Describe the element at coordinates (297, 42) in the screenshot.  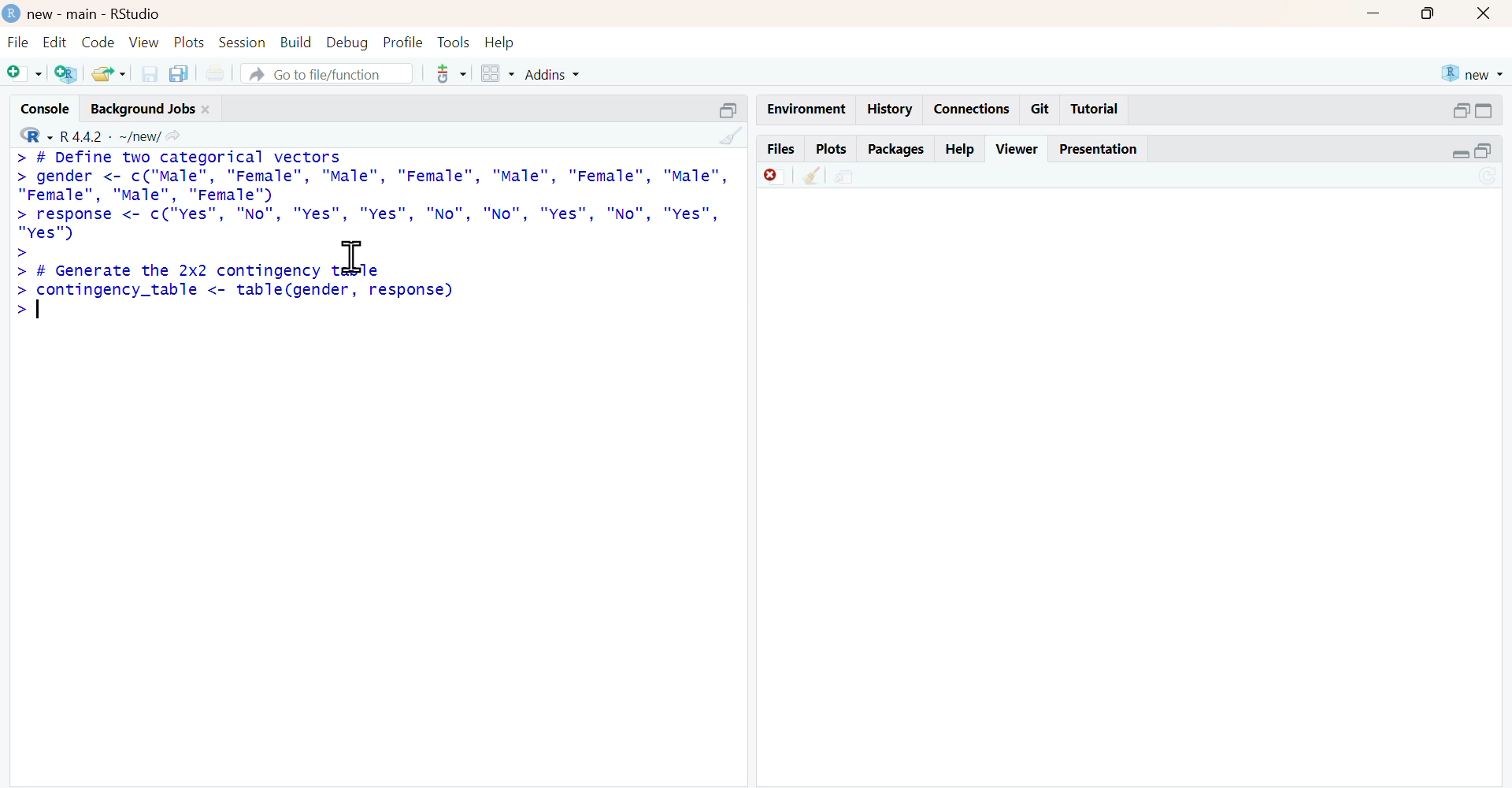
I see `build` at that location.